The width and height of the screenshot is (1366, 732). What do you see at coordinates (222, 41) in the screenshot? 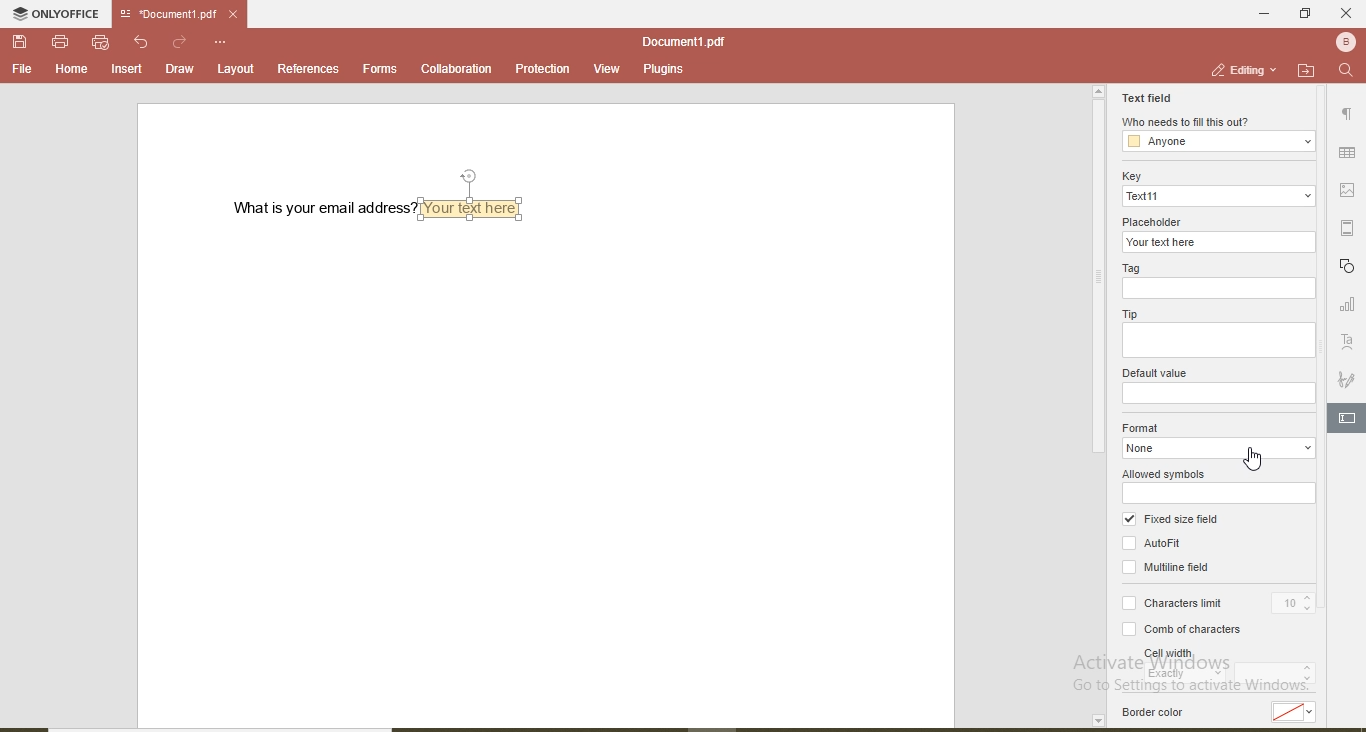
I see `customise quick access toolbar` at bounding box center [222, 41].